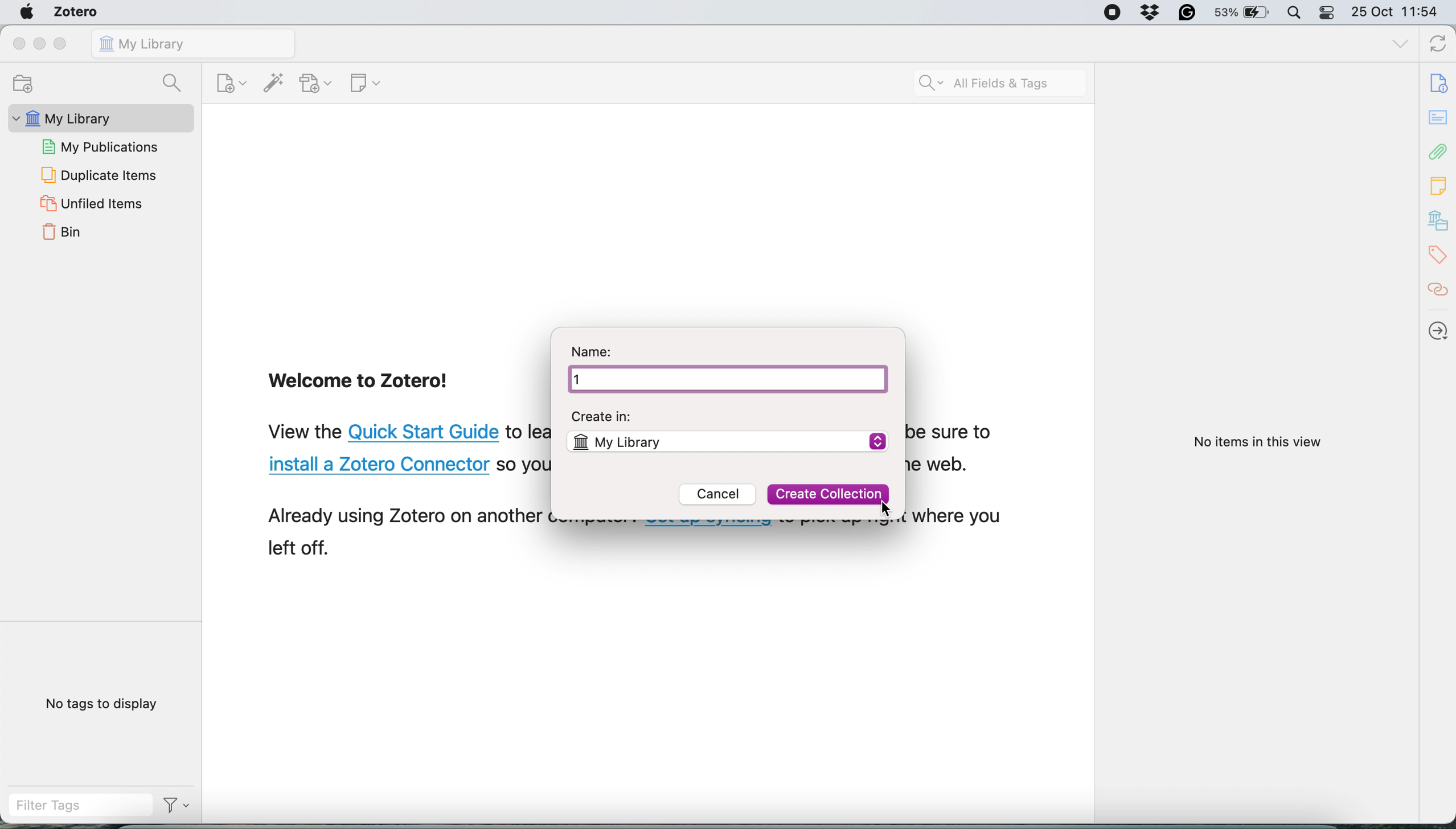 The width and height of the screenshot is (1456, 829). I want to click on 25 Oct 11:54, so click(1401, 12).